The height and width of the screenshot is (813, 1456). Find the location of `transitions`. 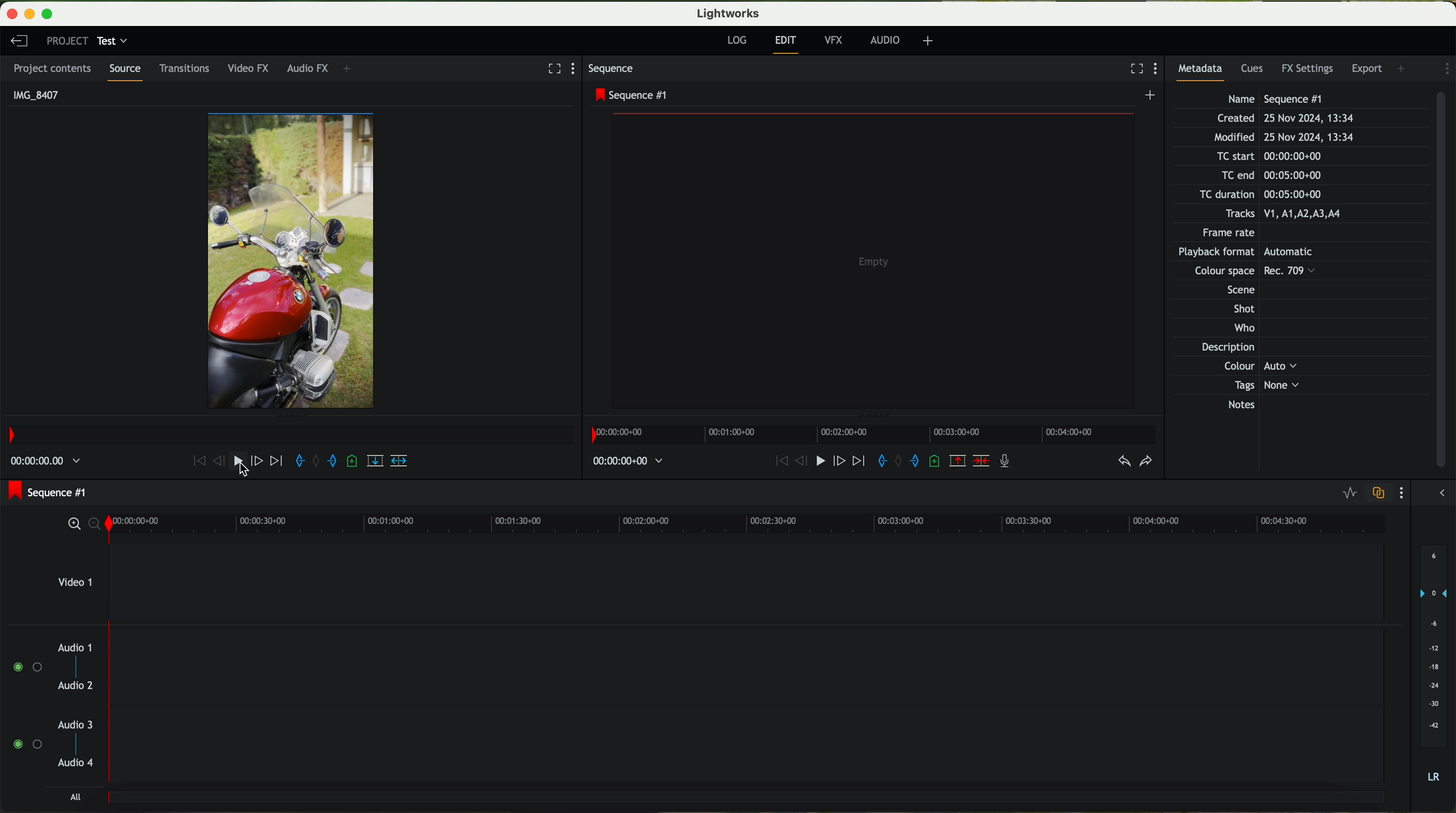

transitions is located at coordinates (187, 68).